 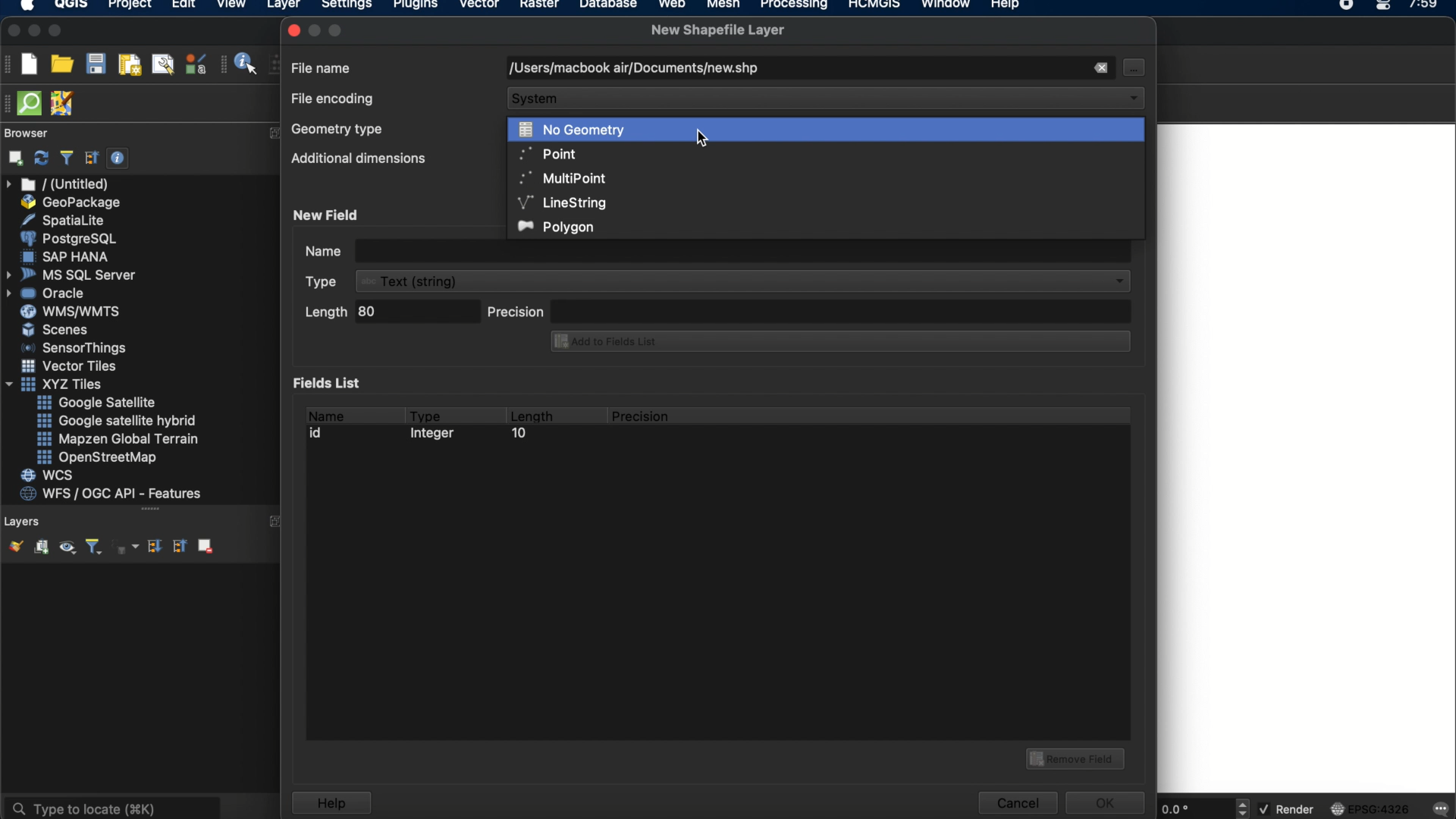 What do you see at coordinates (346, 7) in the screenshot?
I see `settings` at bounding box center [346, 7].